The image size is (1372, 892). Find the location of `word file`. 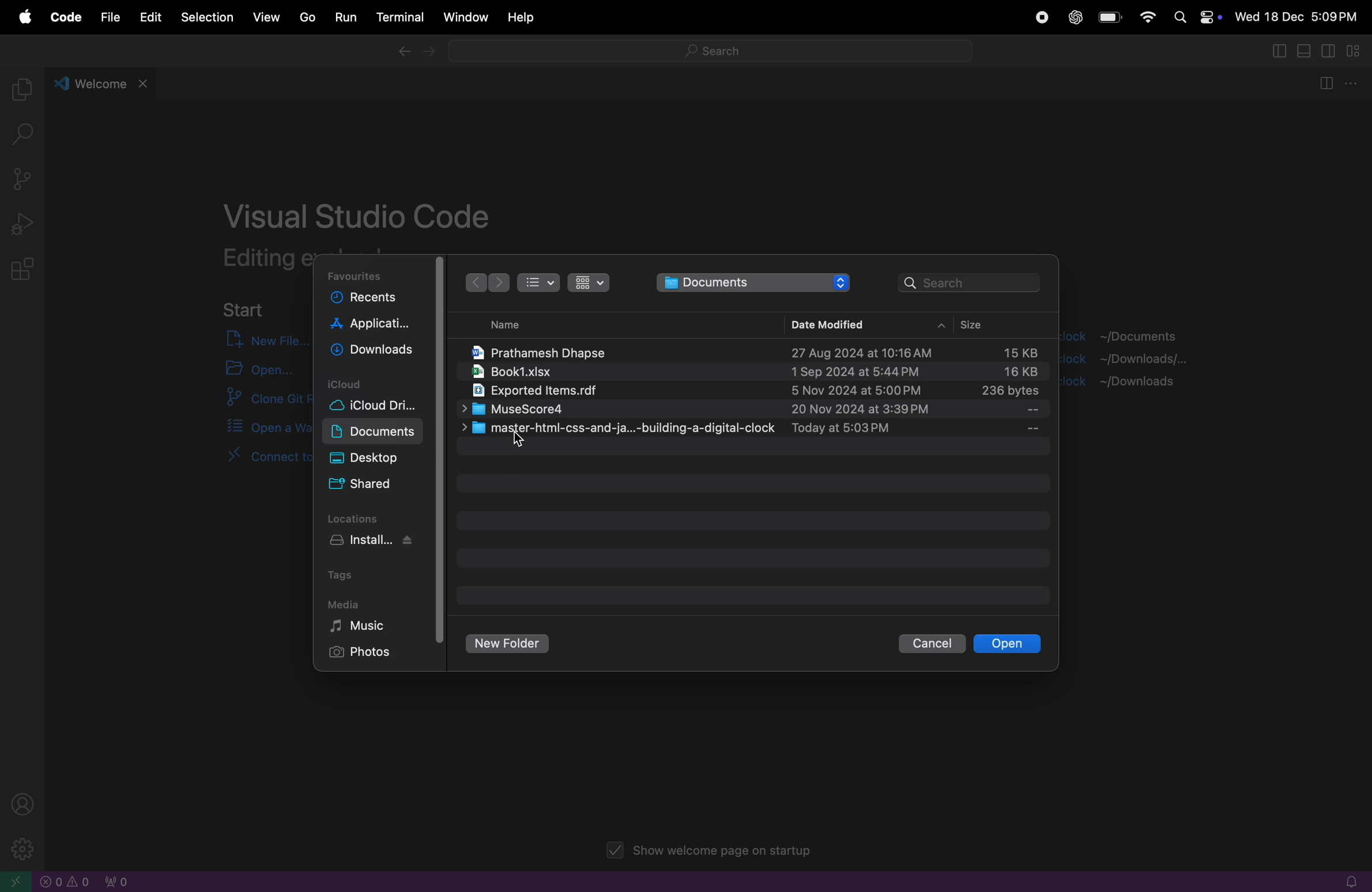

word file is located at coordinates (753, 349).